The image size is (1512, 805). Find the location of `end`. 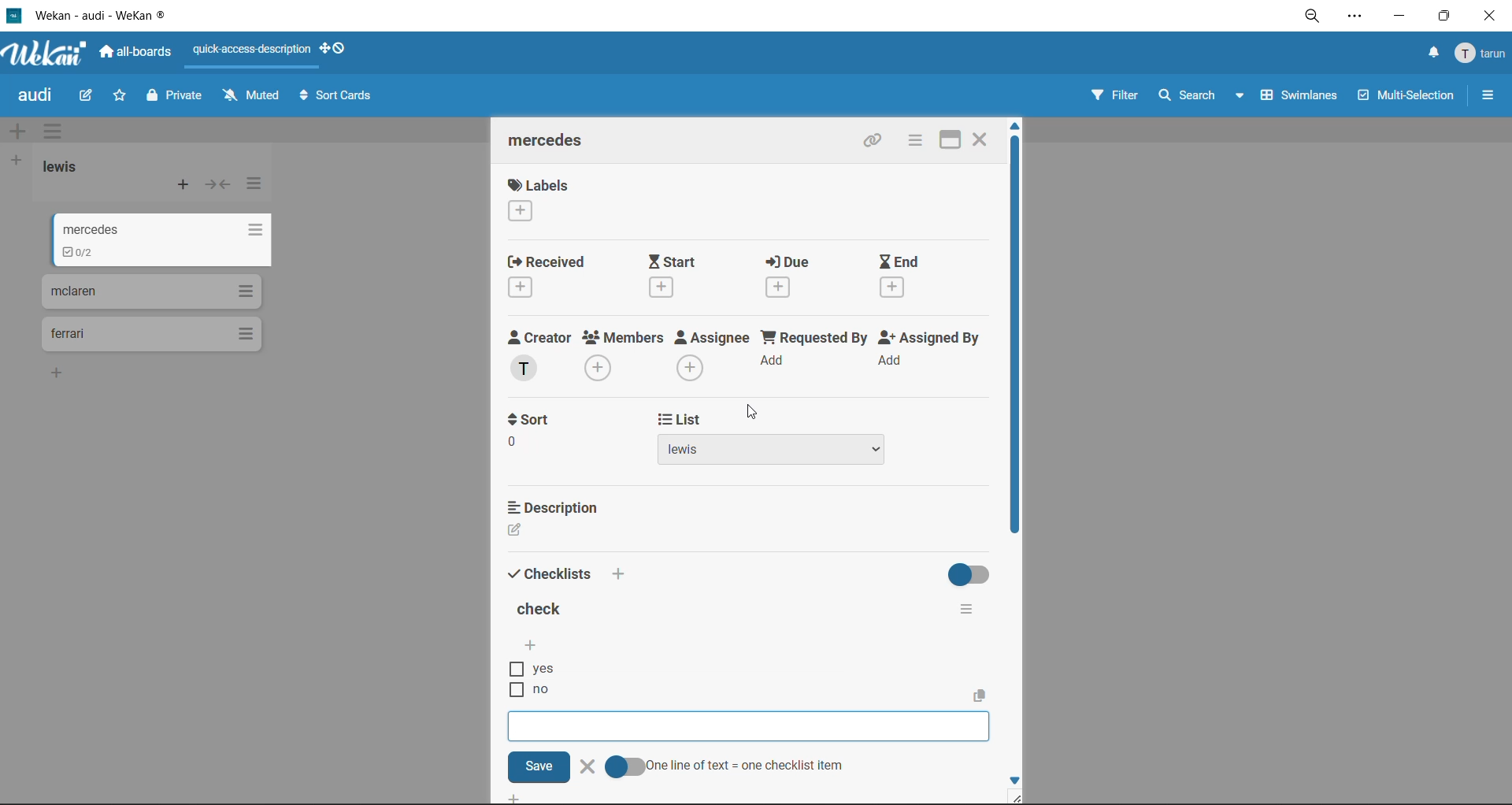

end is located at coordinates (902, 277).